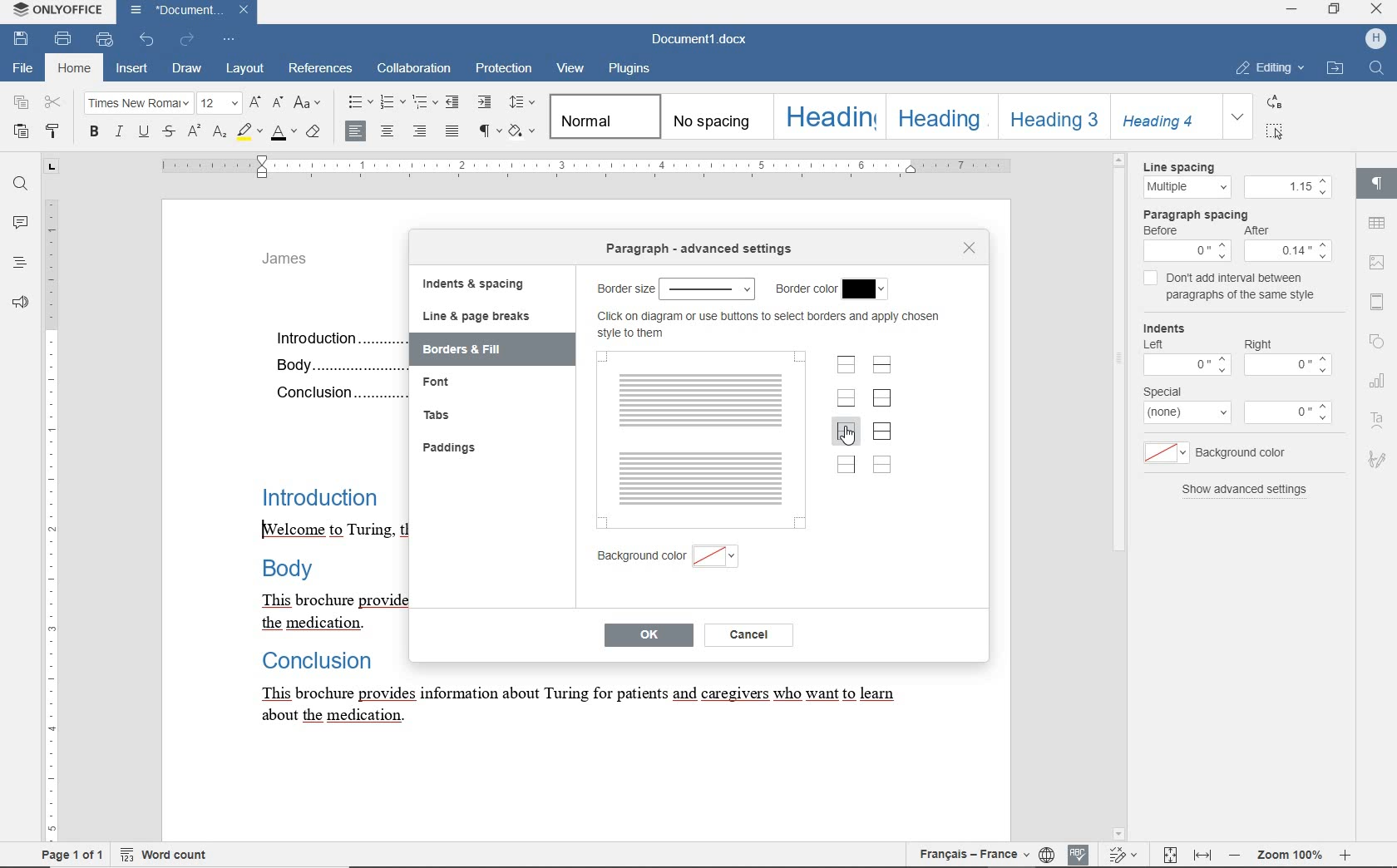 Image resolution: width=1397 pixels, height=868 pixels. Describe the element at coordinates (1169, 856) in the screenshot. I see `track changes` at that location.